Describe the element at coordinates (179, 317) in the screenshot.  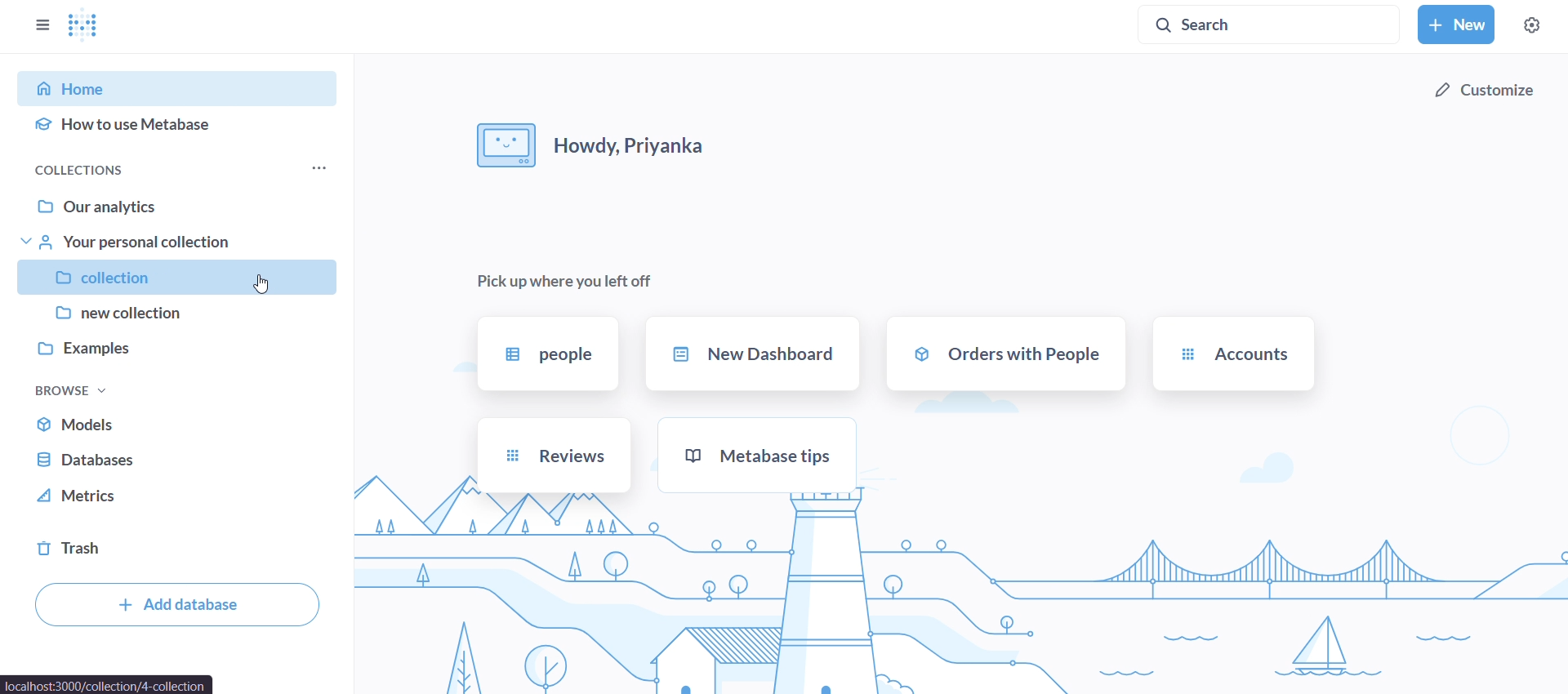
I see `new collection` at that location.